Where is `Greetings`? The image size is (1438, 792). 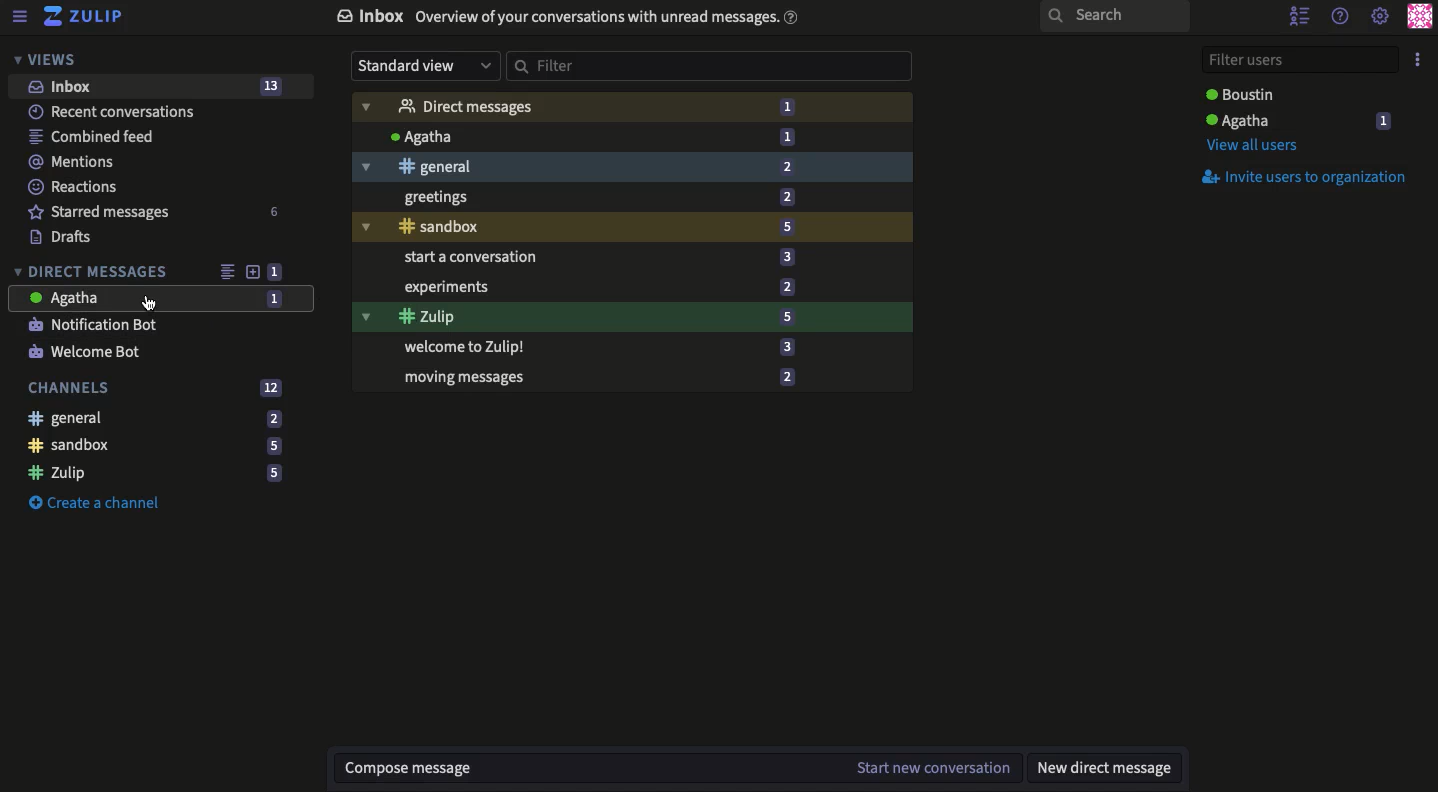 Greetings is located at coordinates (633, 199).